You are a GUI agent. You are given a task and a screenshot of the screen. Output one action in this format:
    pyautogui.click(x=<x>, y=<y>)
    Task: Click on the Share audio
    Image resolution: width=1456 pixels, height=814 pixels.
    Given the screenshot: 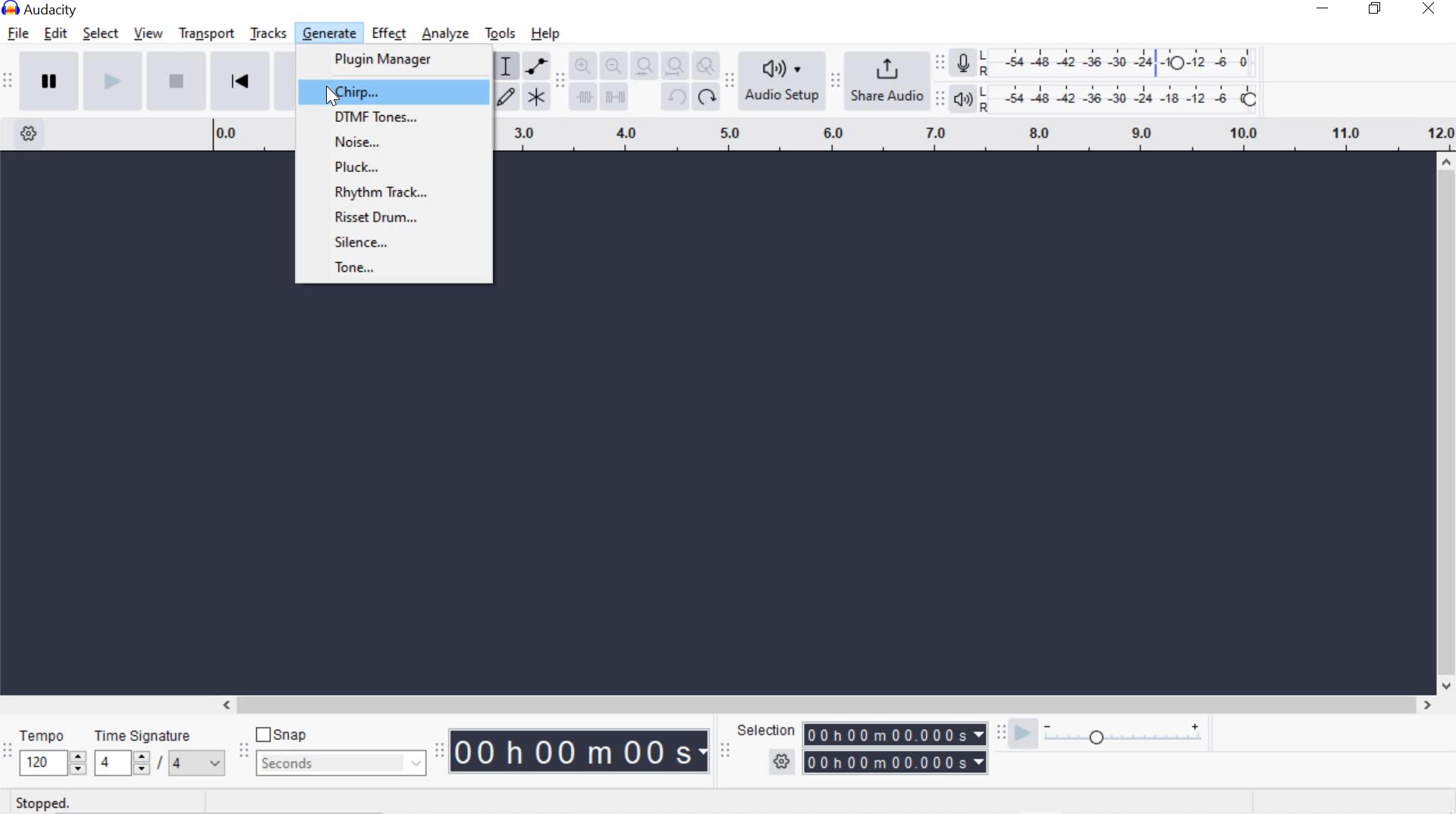 What is the action you would take?
    pyautogui.click(x=886, y=80)
    